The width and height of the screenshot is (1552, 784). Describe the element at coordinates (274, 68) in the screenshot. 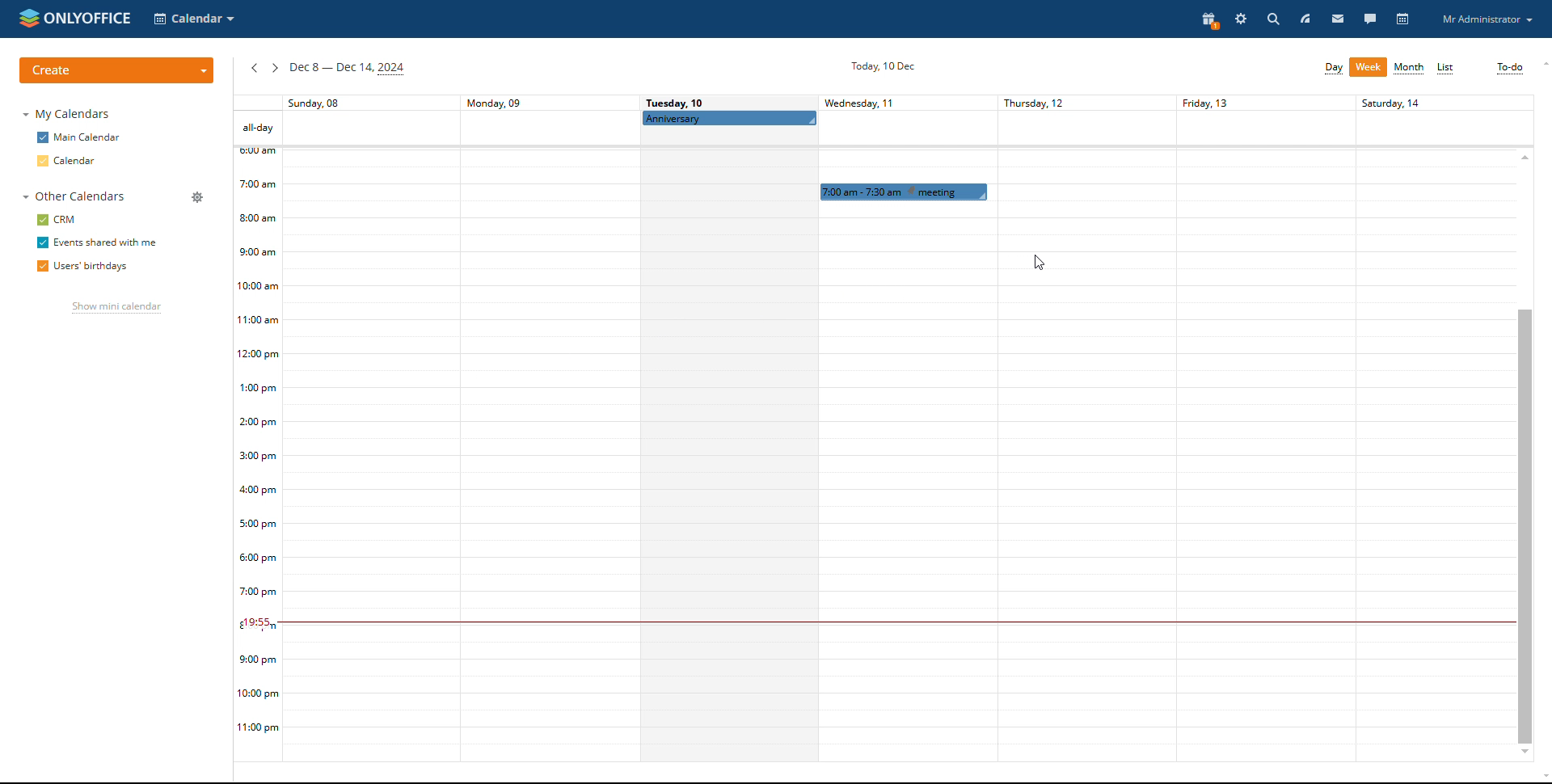

I see `next week` at that location.